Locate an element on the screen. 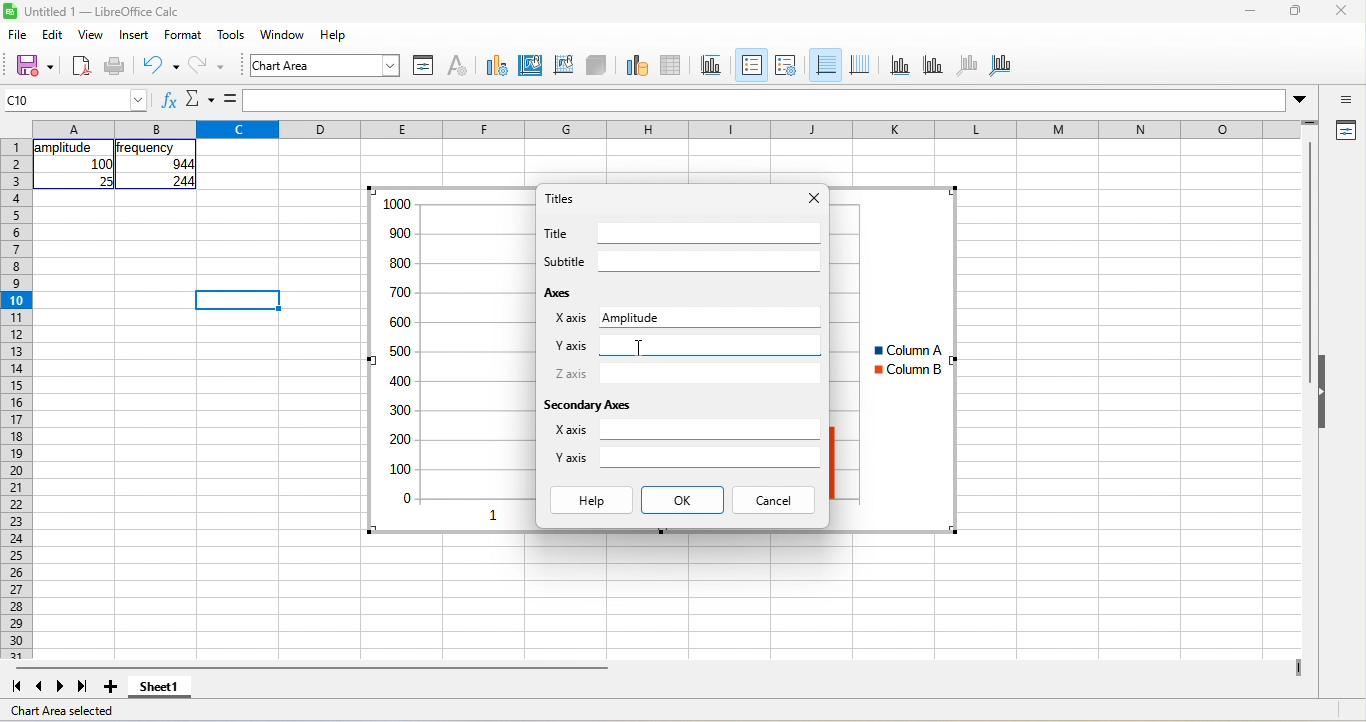 The height and width of the screenshot is (722, 1366). axes is located at coordinates (560, 292).